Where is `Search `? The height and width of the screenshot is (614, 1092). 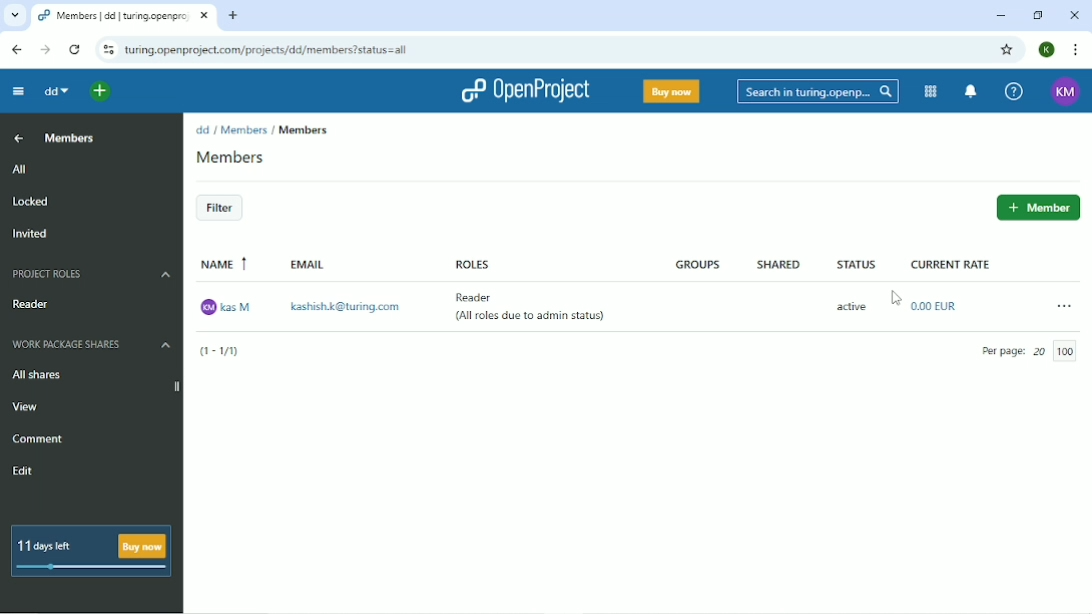 Search  is located at coordinates (814, 92).